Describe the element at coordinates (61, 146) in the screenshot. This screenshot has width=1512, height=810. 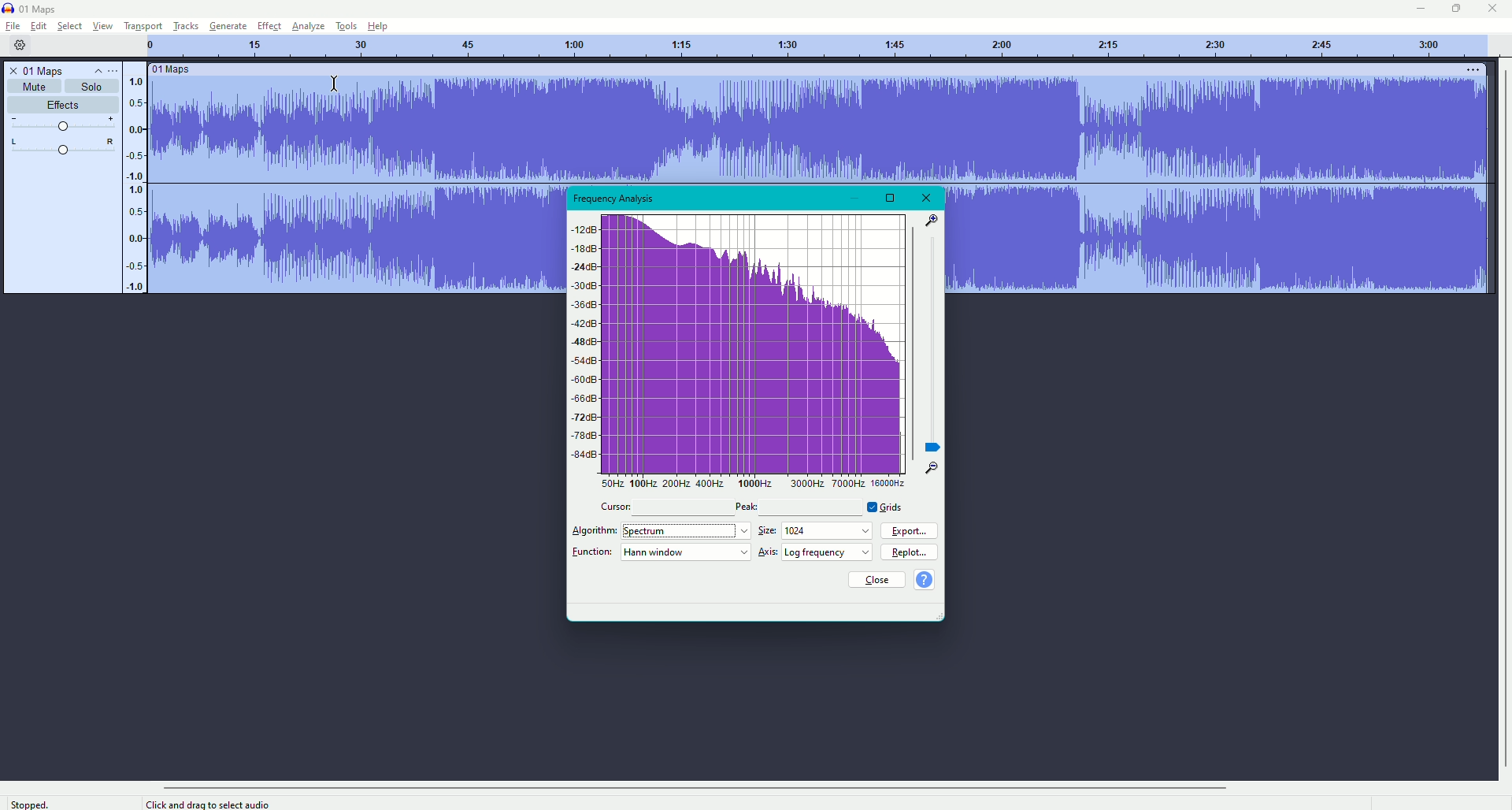
I see `L-R Slider` at that location.